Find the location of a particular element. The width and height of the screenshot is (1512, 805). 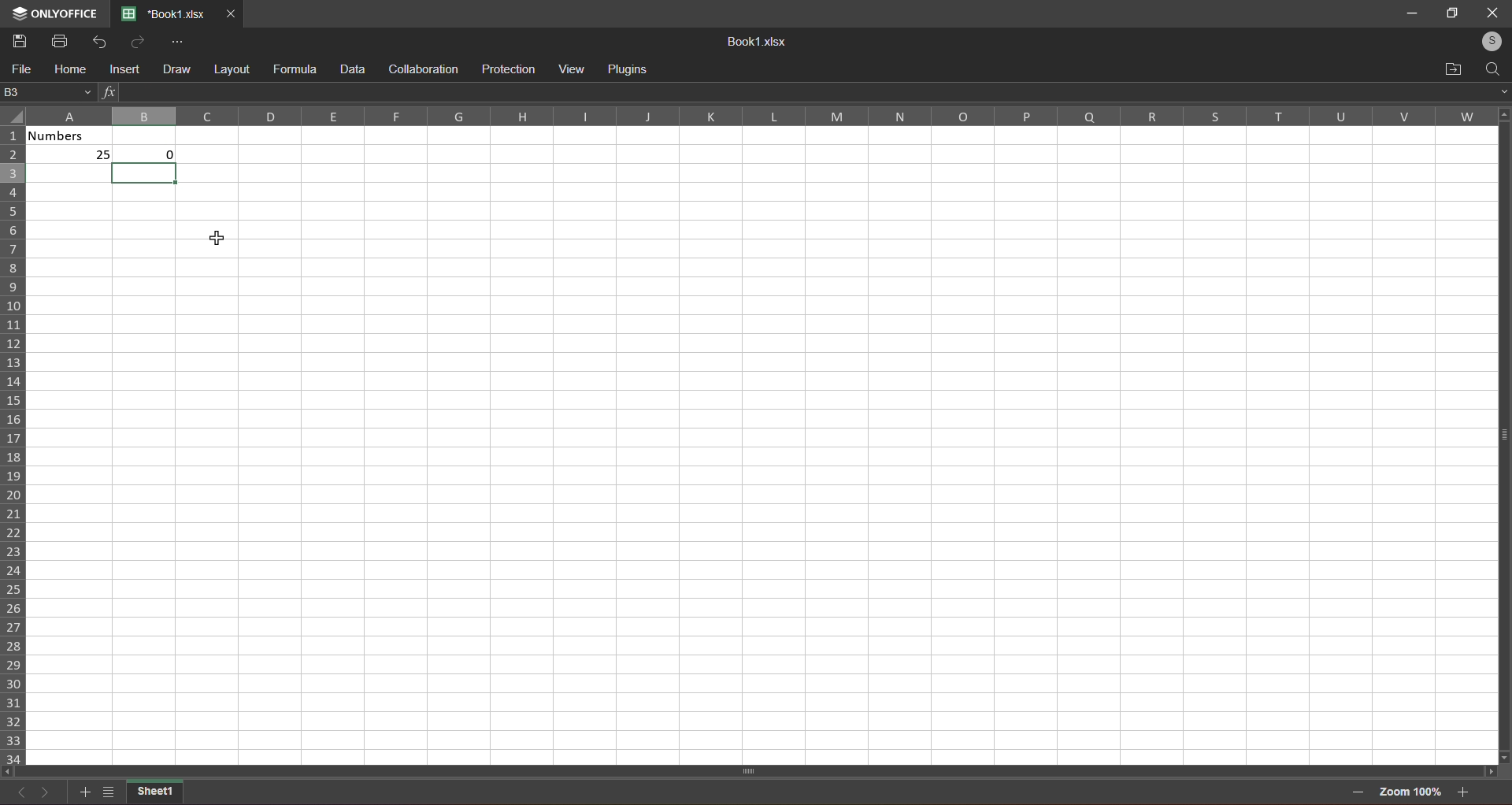

functions is located at coordinates (108, 91).